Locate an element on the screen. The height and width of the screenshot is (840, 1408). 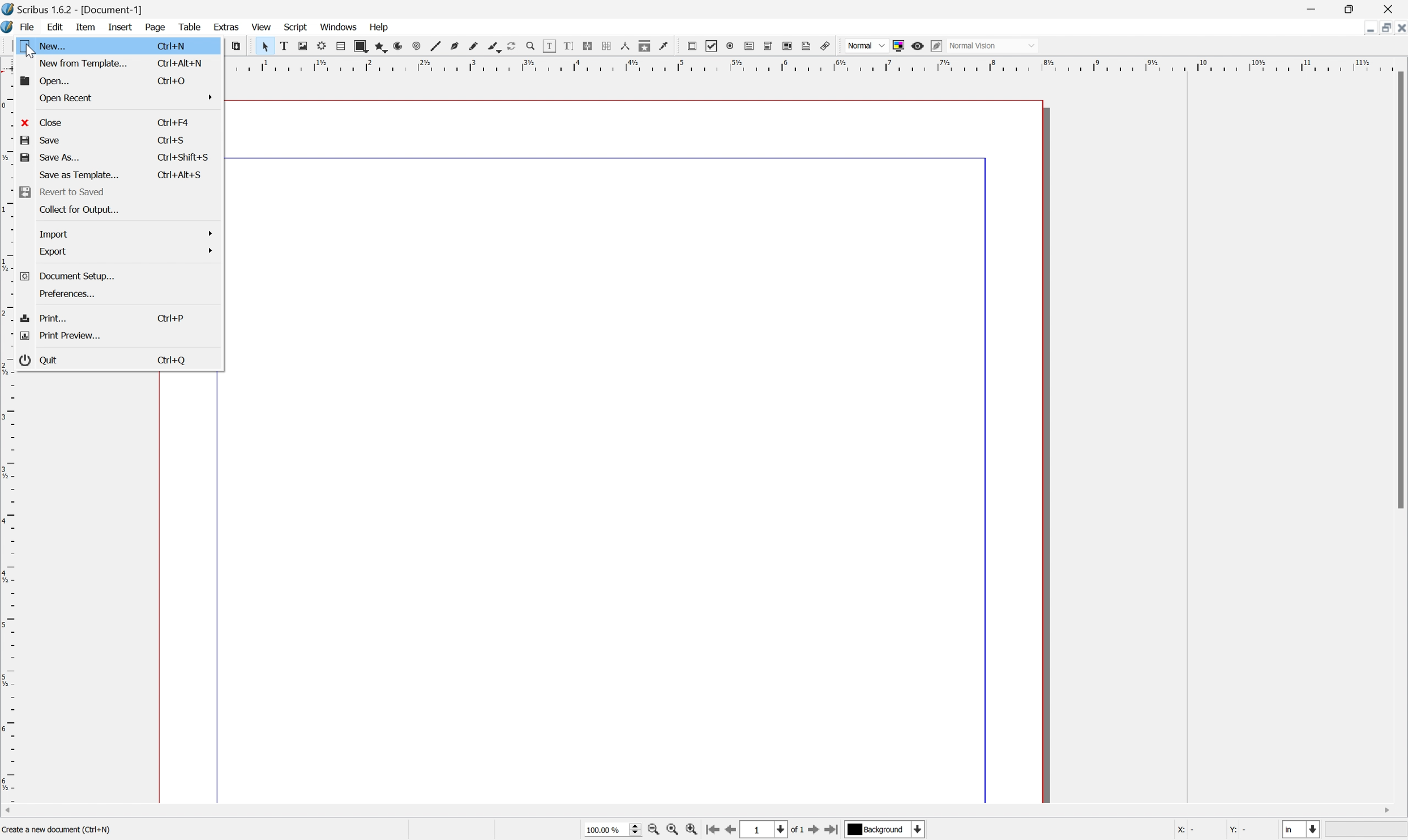
ctrlshift+s is located at coordinates (183, 156).